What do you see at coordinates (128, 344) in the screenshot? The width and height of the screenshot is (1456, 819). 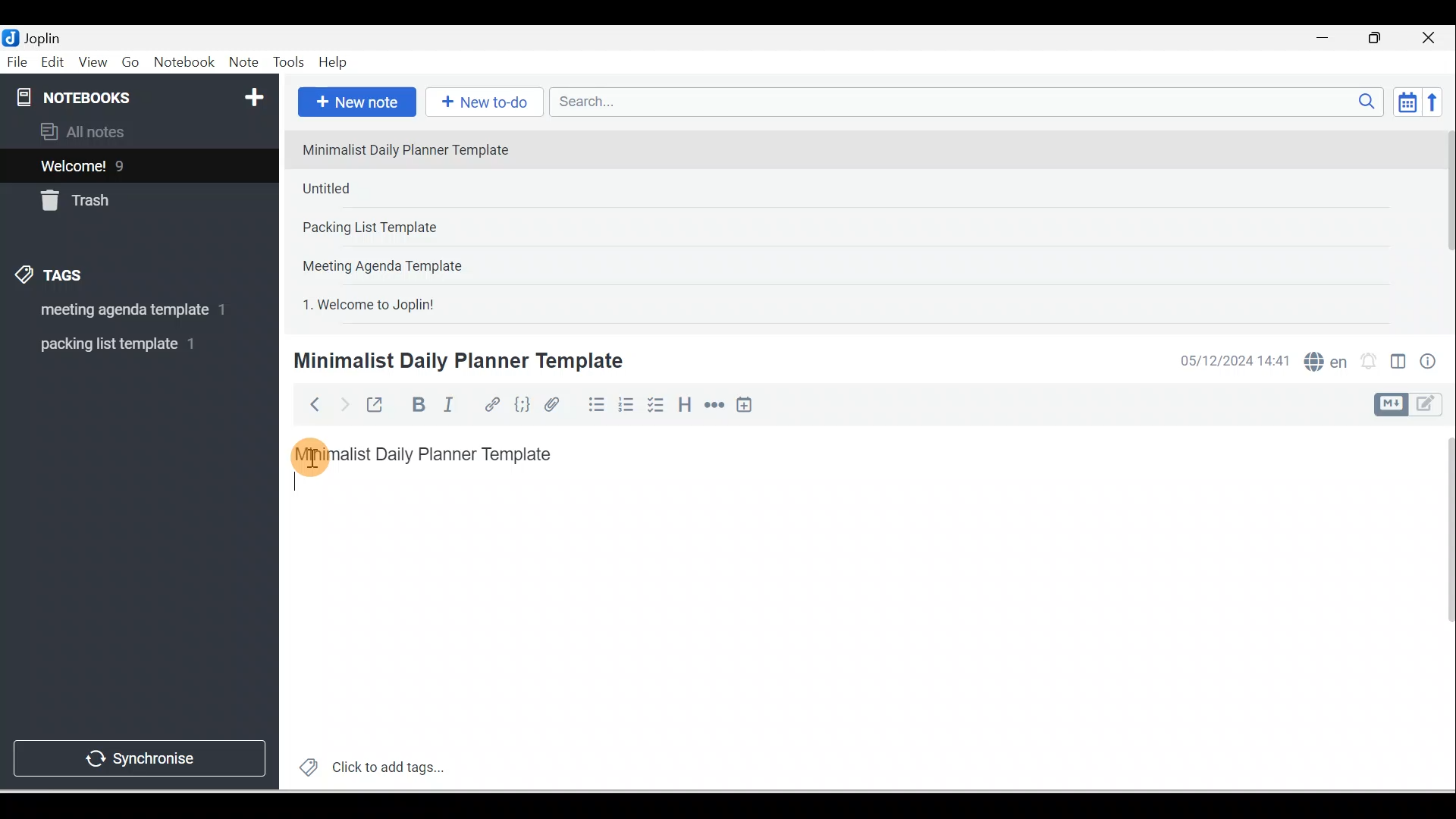 I see `Tag 2` at bounding box center [128, 344].